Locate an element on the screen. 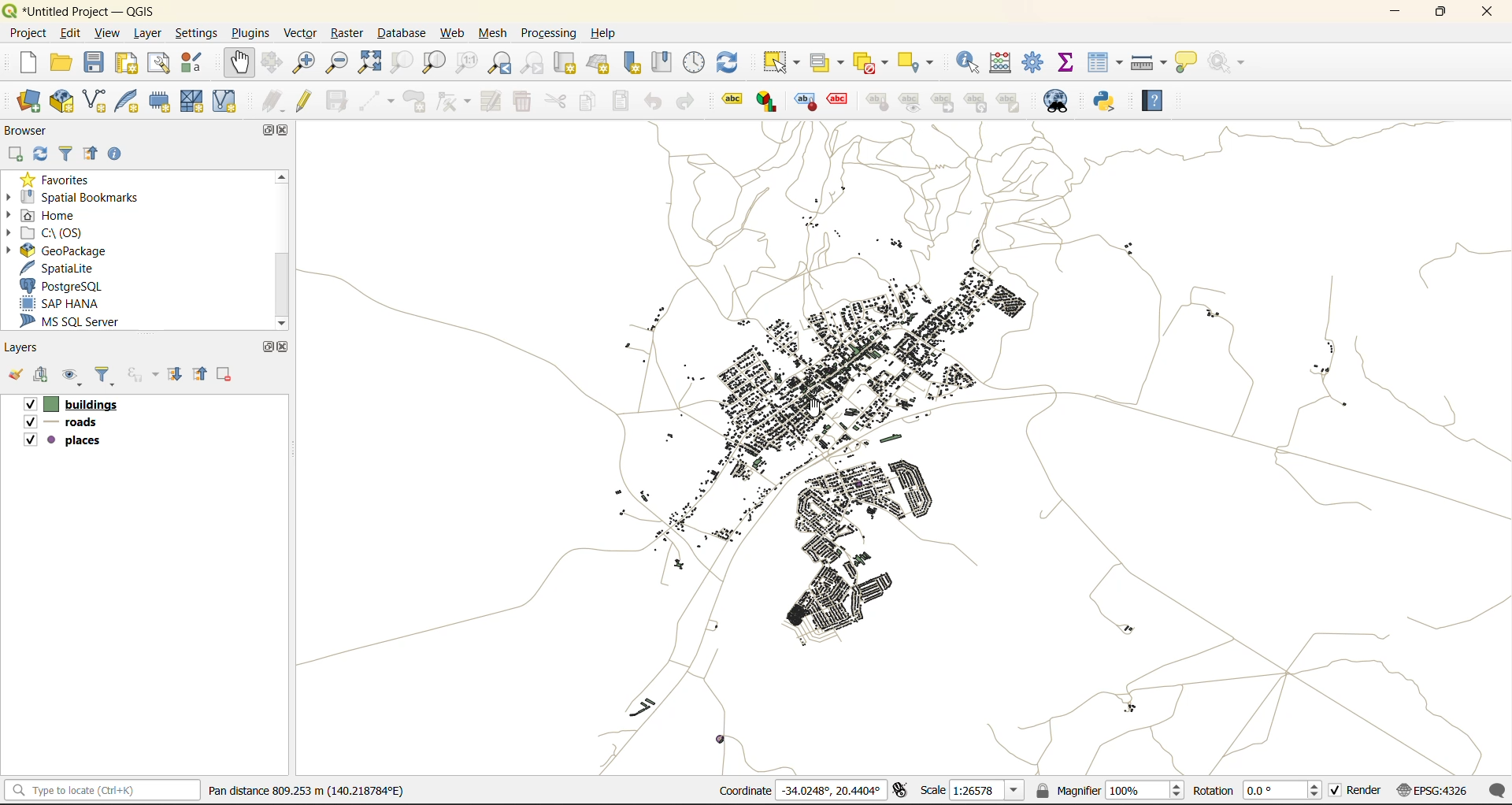 Image resolution: width=1512 pixels, height=805 pixels. enable properties is located at coordinates (116, 153).